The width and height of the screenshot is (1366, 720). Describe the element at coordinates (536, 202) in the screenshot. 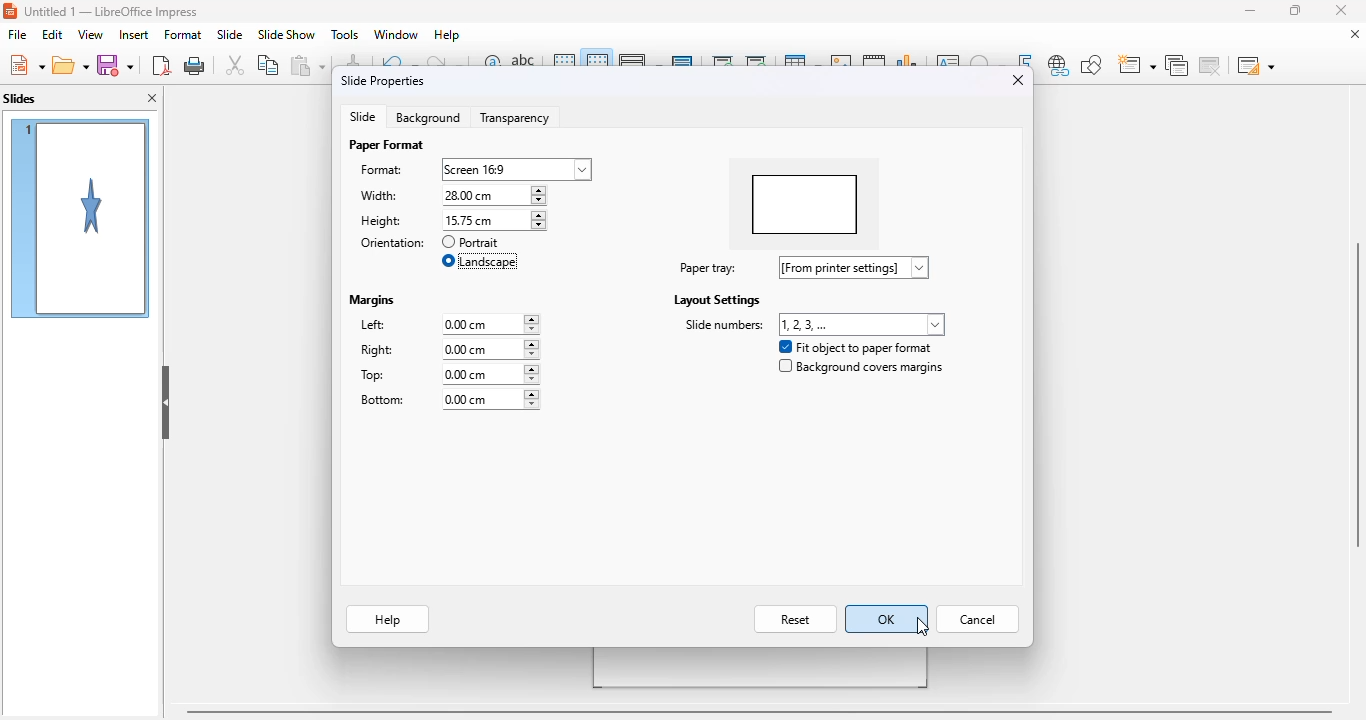

I see `decrease width` at that location.